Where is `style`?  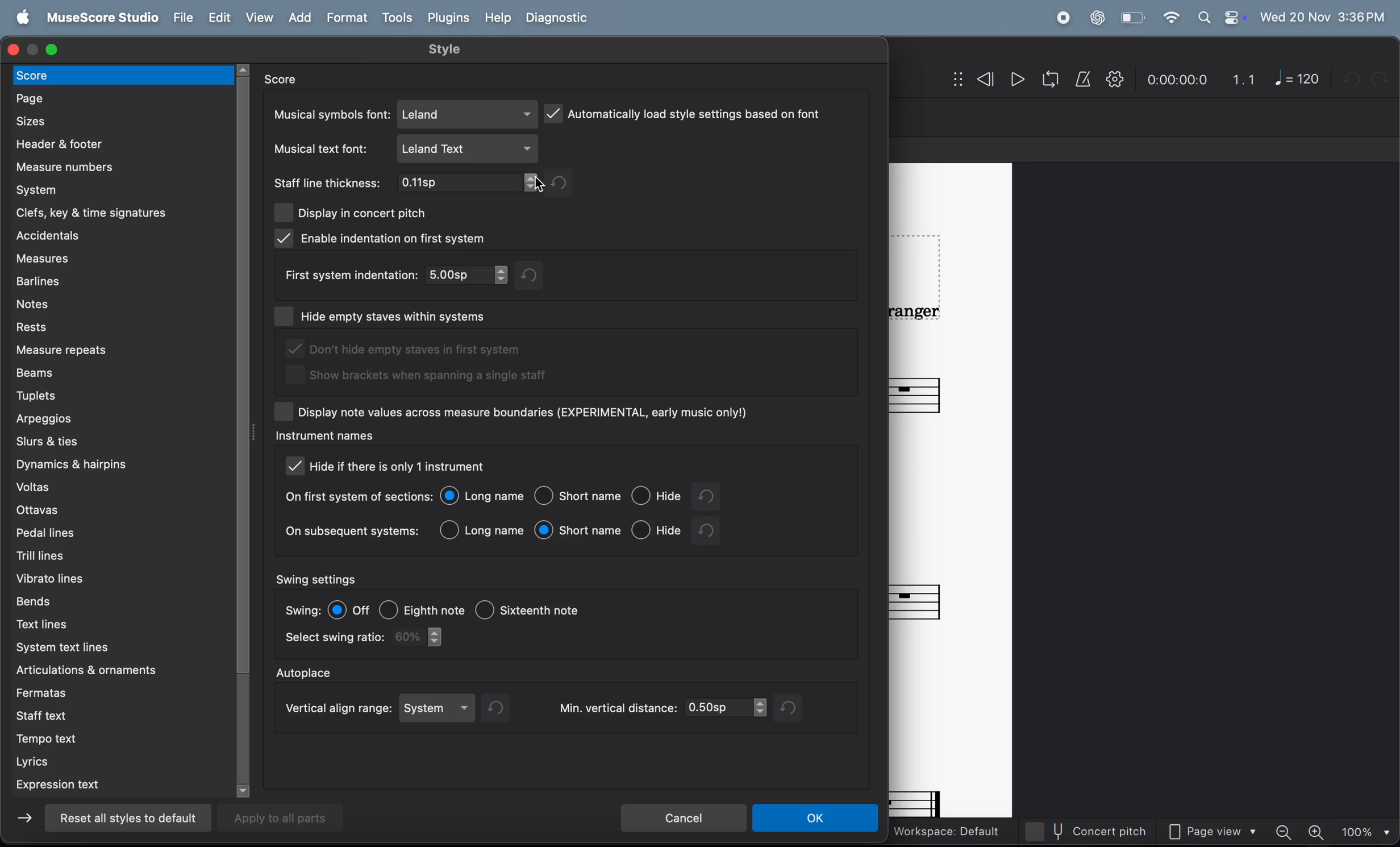 style is located at coordinates (447, 49).